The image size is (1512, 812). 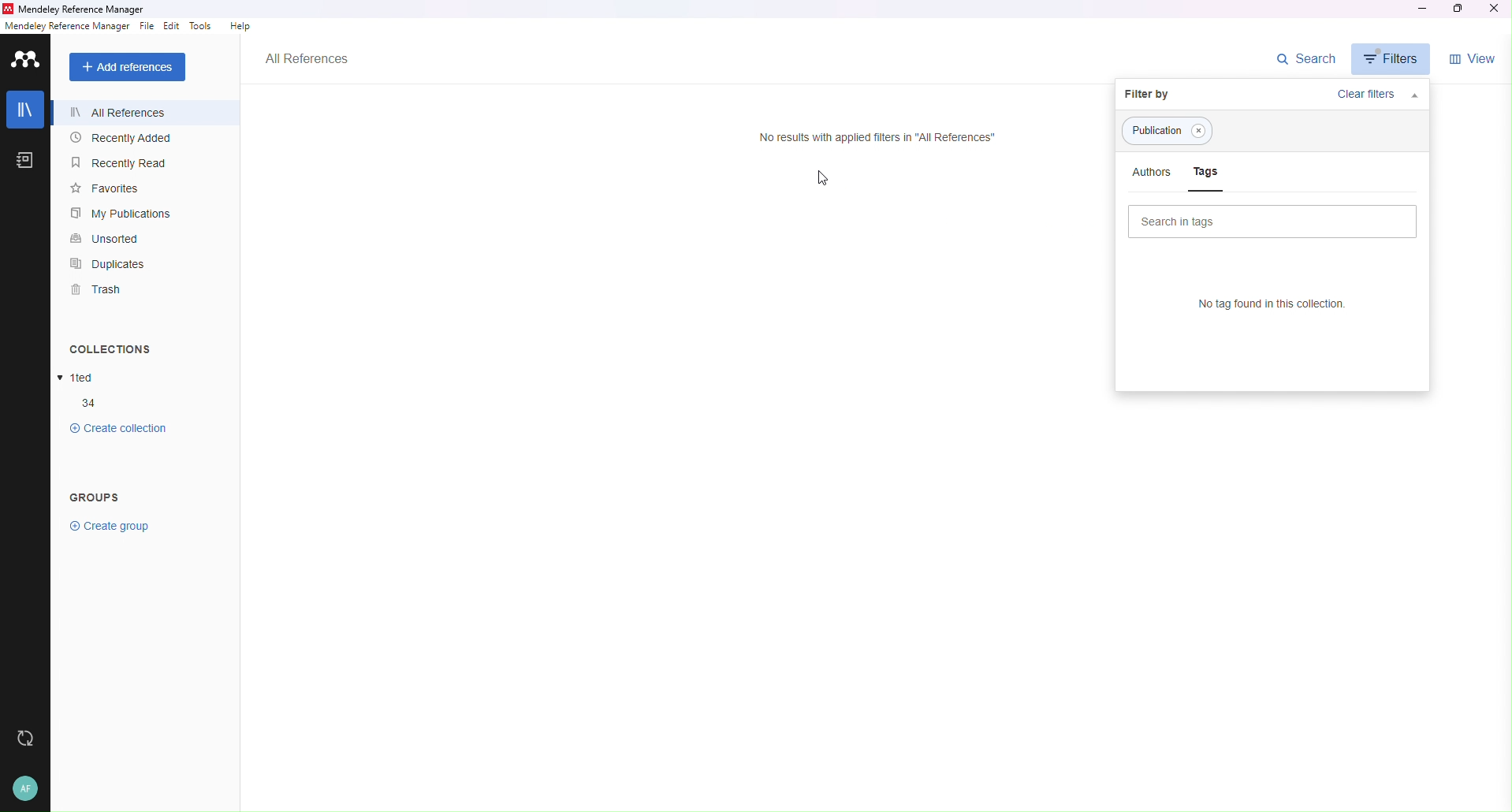 What do you see at coordinates (27, 58) in the screenshot?
I see `Mendeley` at bounding box center [27, 58].